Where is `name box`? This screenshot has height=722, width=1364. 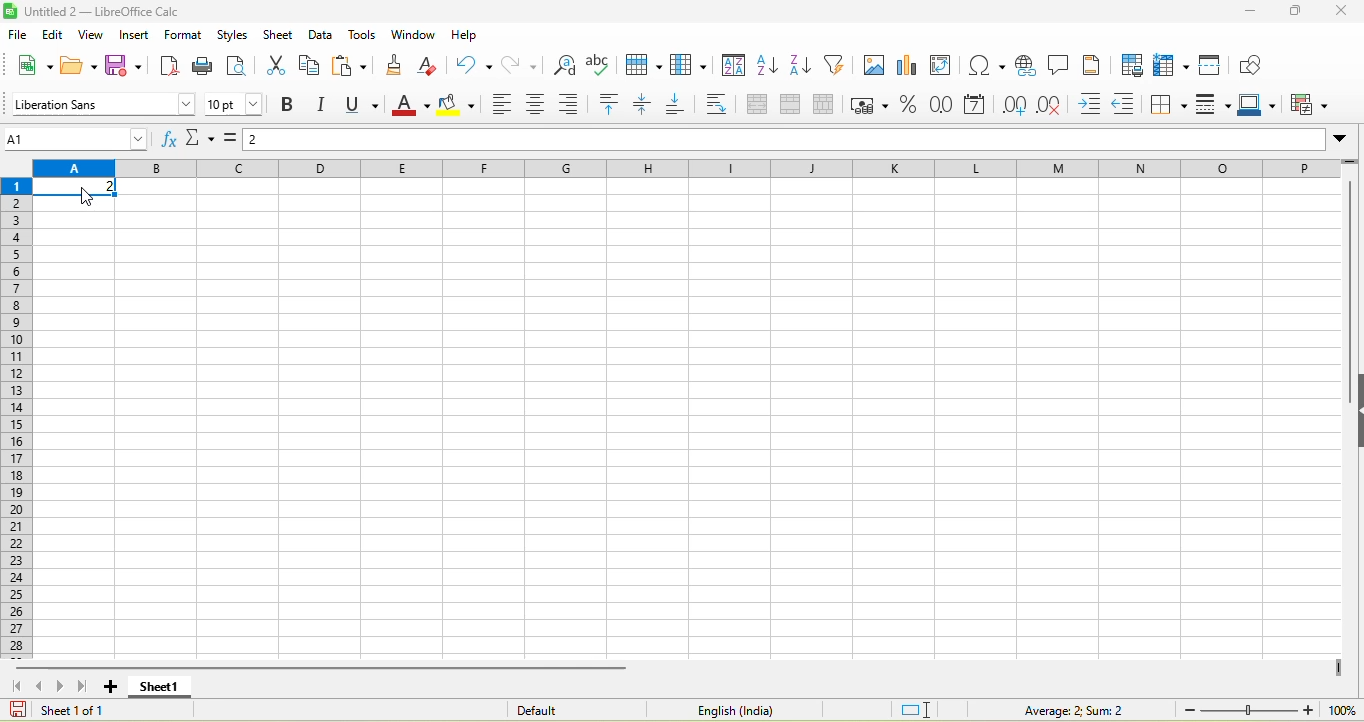
name box is located at coordinates (78, 138).